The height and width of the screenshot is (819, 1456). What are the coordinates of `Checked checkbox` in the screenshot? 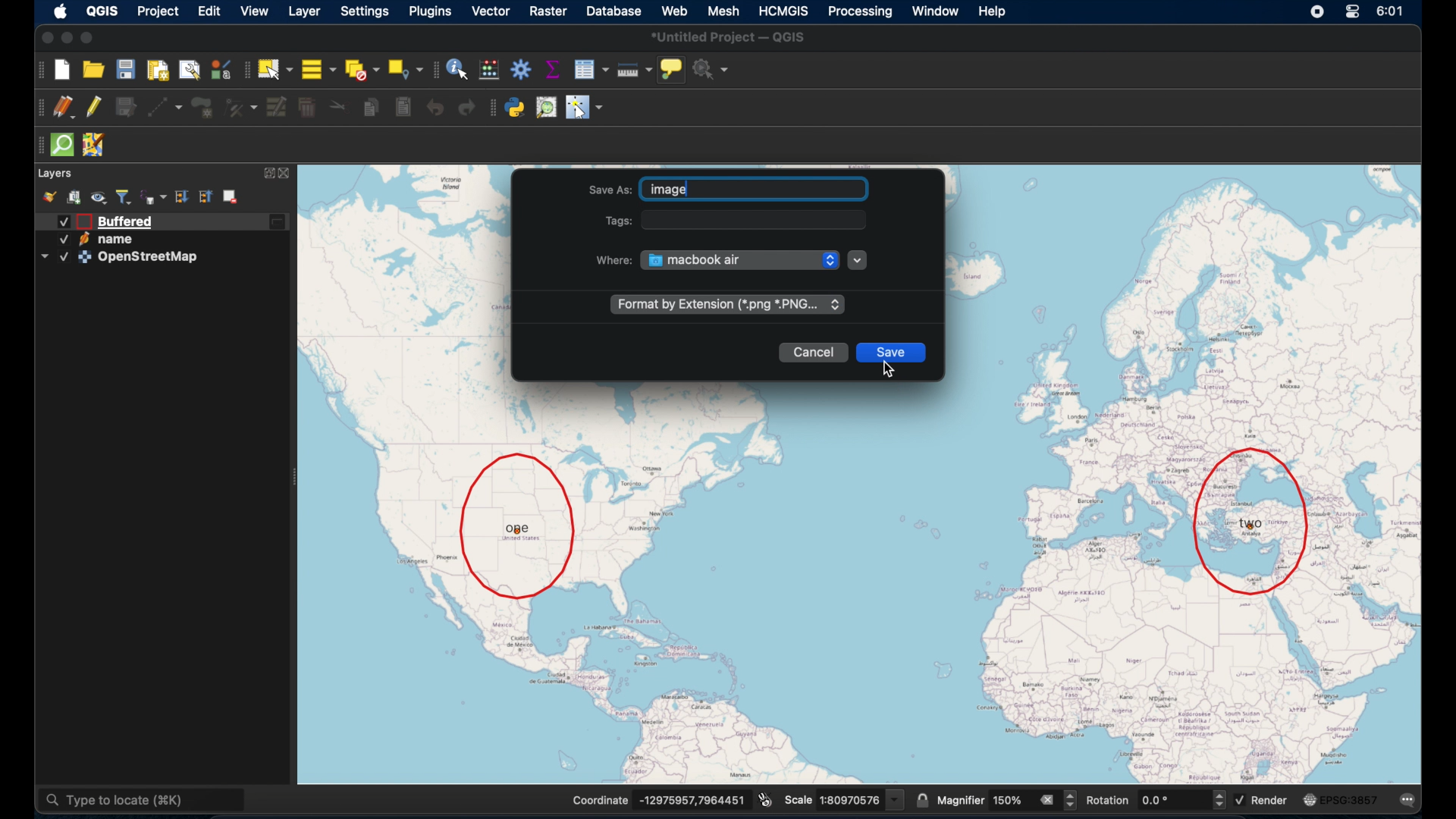 It's located at (61, 240).